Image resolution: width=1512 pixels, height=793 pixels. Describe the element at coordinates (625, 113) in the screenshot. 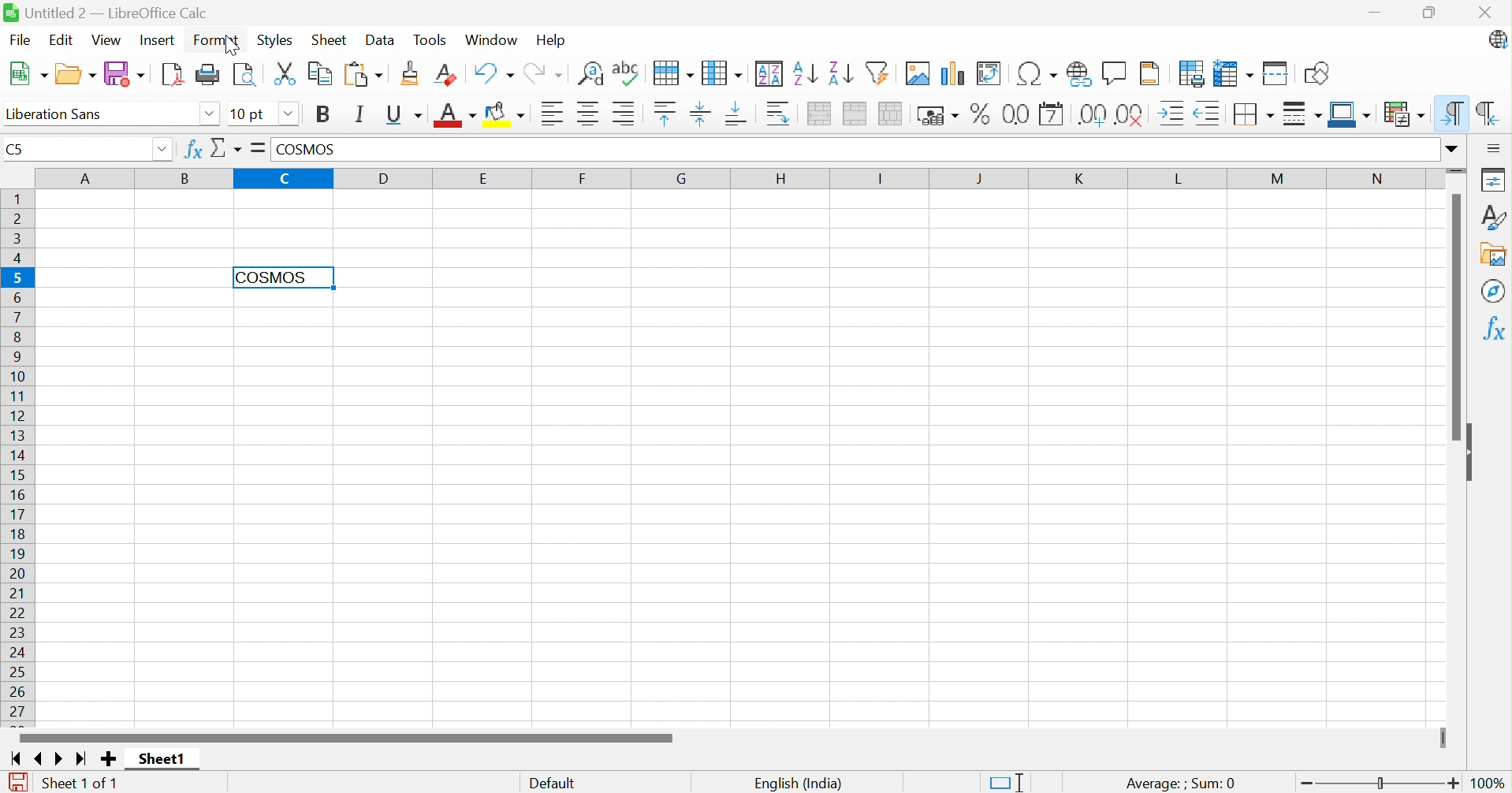

I see `Align Right` at that location.